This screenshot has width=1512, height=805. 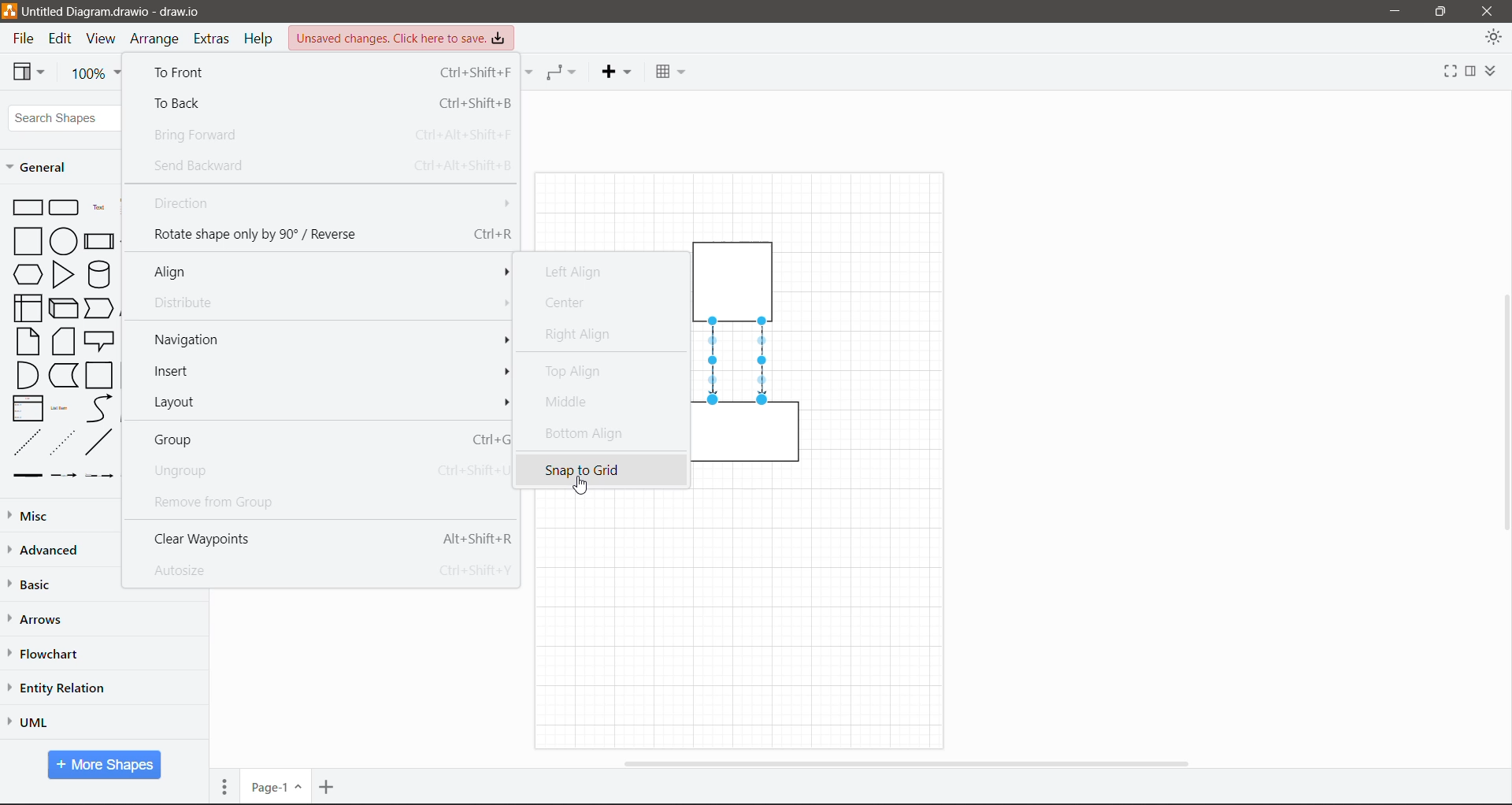 What do you see at coordinates (9, 10) in the screenshot?
I see `draw.io logo` at bounding box center [9, 10].